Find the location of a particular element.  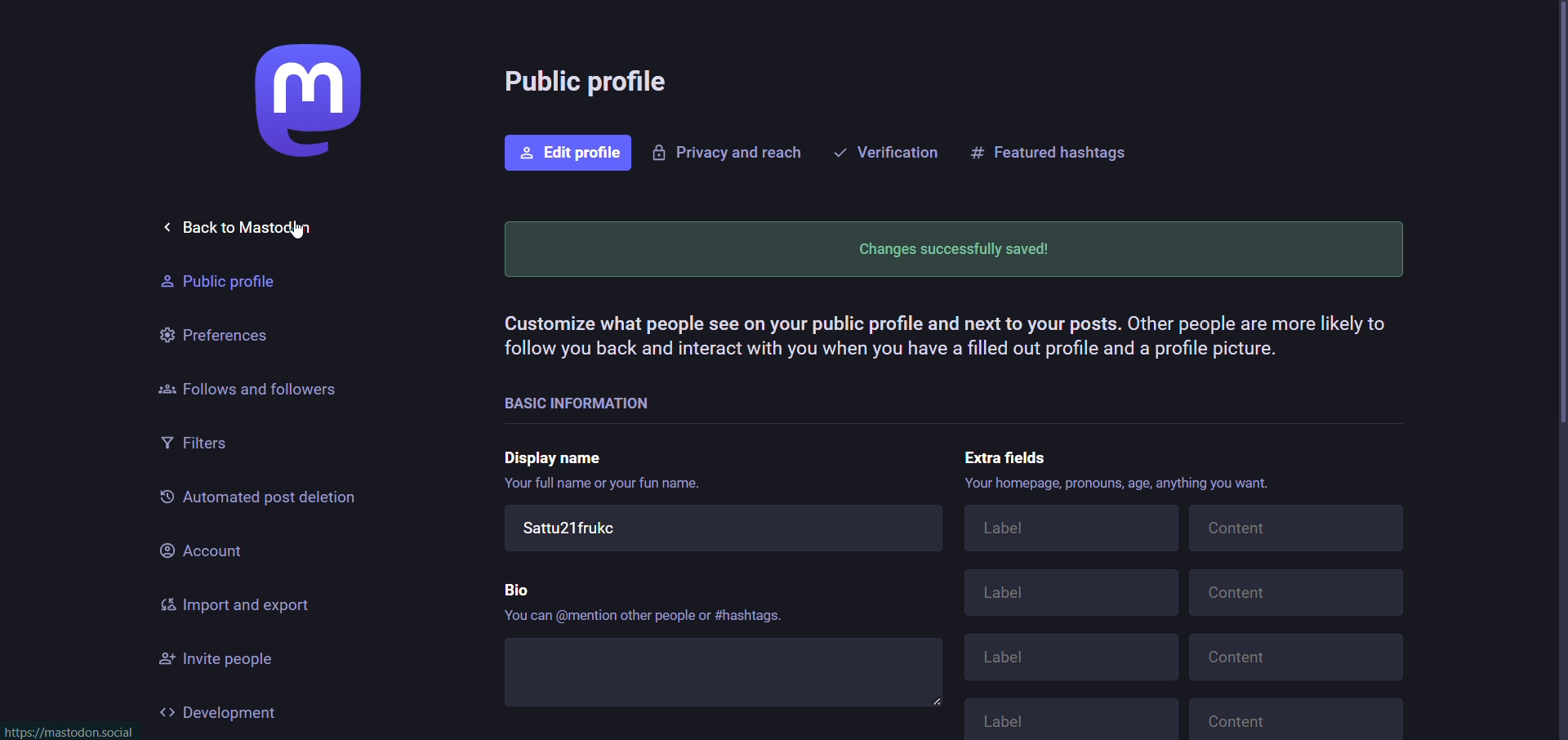

development is located at coordinates (222, 712).